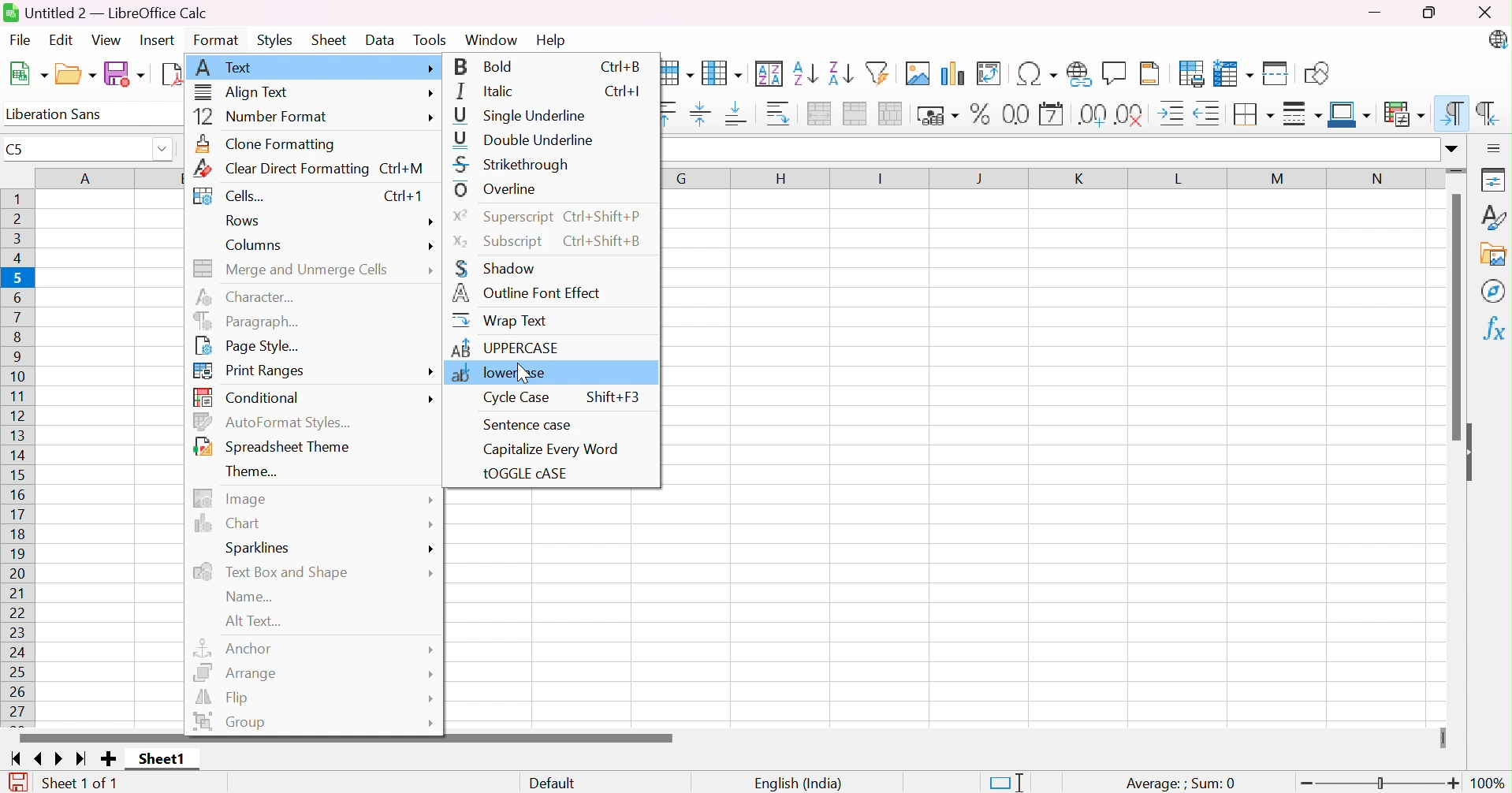 The height and width of the screenshot is (793, 1512). I want to click on Insert Image, so click(920, 73).